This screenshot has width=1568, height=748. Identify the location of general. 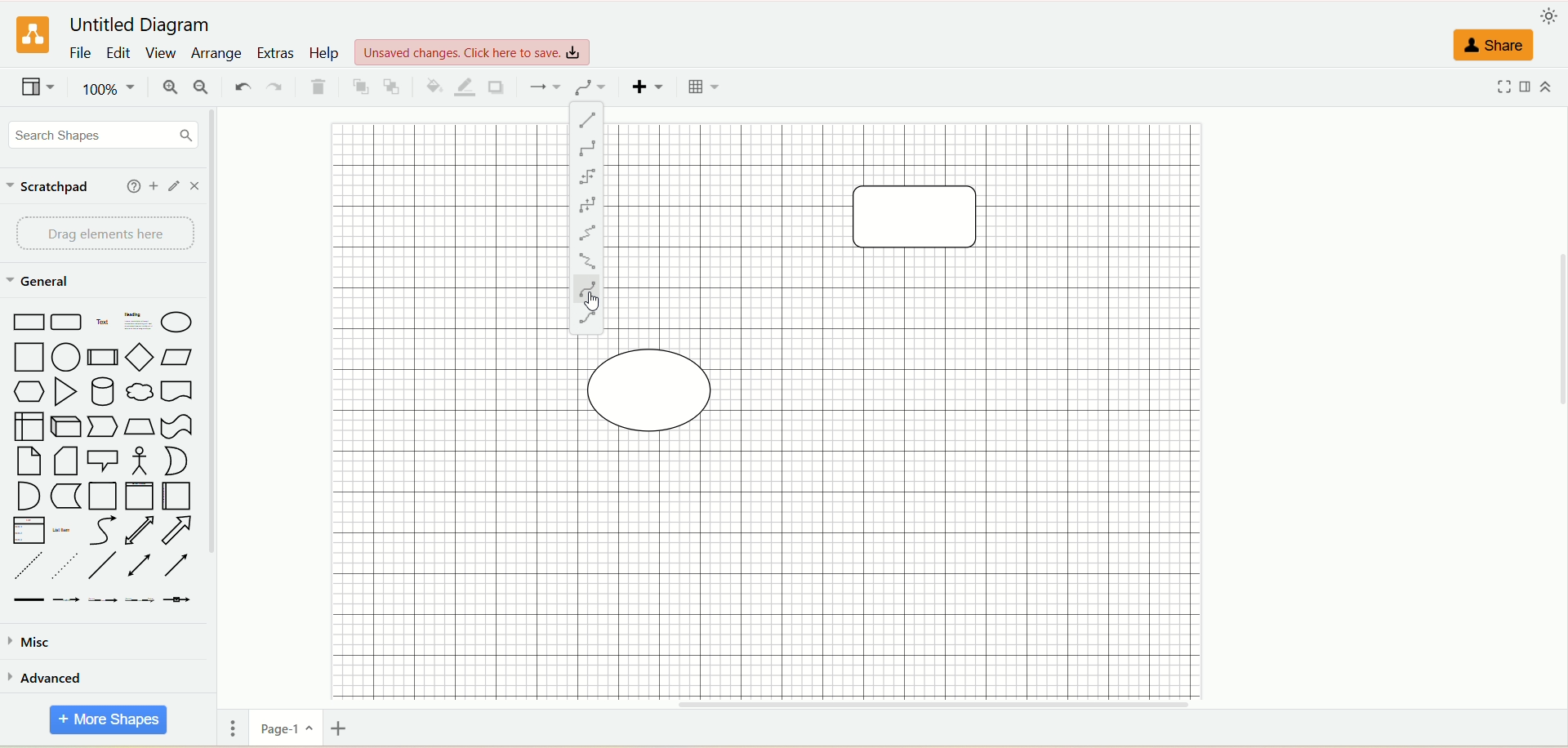
(40, 283).